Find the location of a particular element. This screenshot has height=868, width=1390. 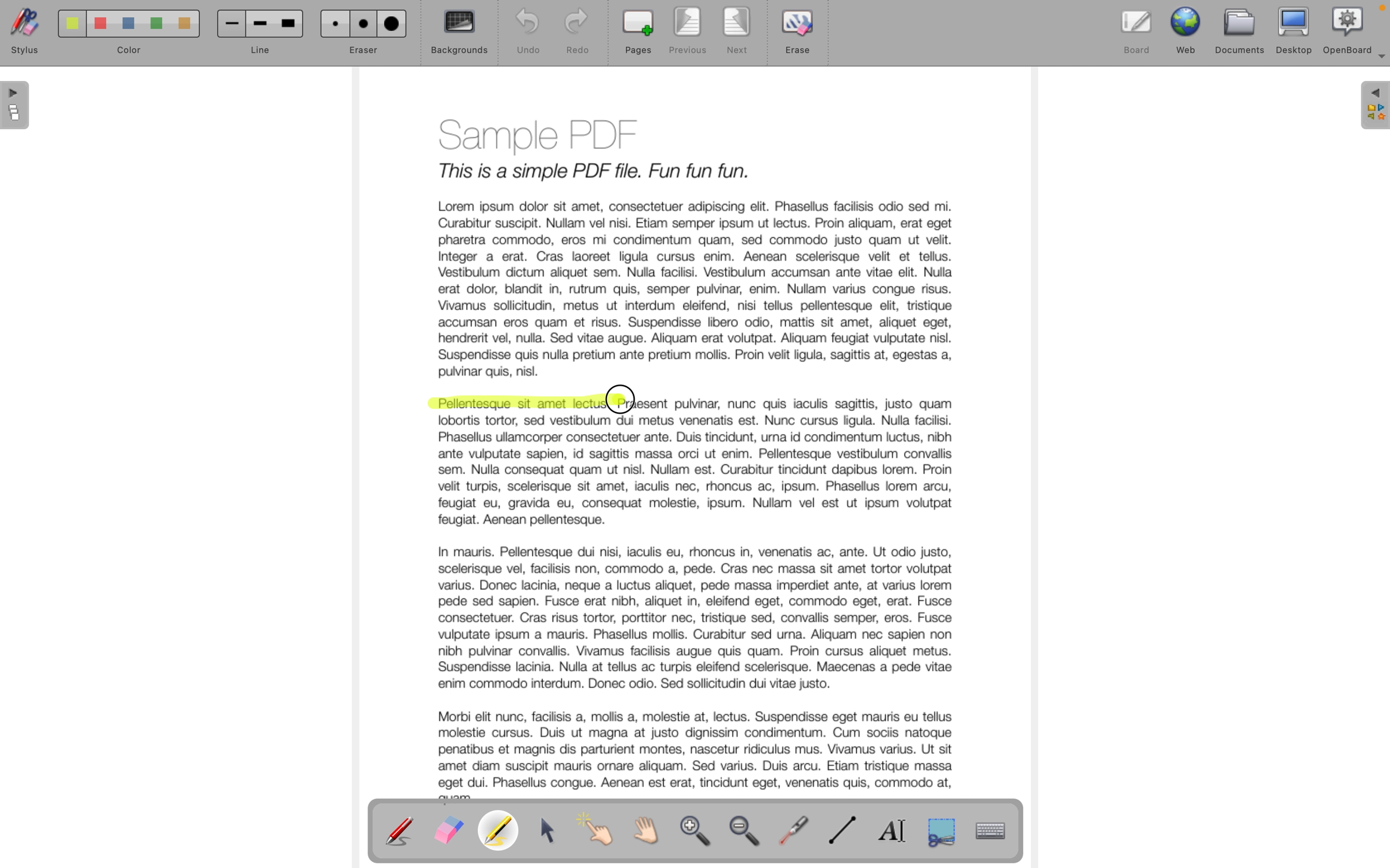

zoom out is located at coordinates (748, 834).